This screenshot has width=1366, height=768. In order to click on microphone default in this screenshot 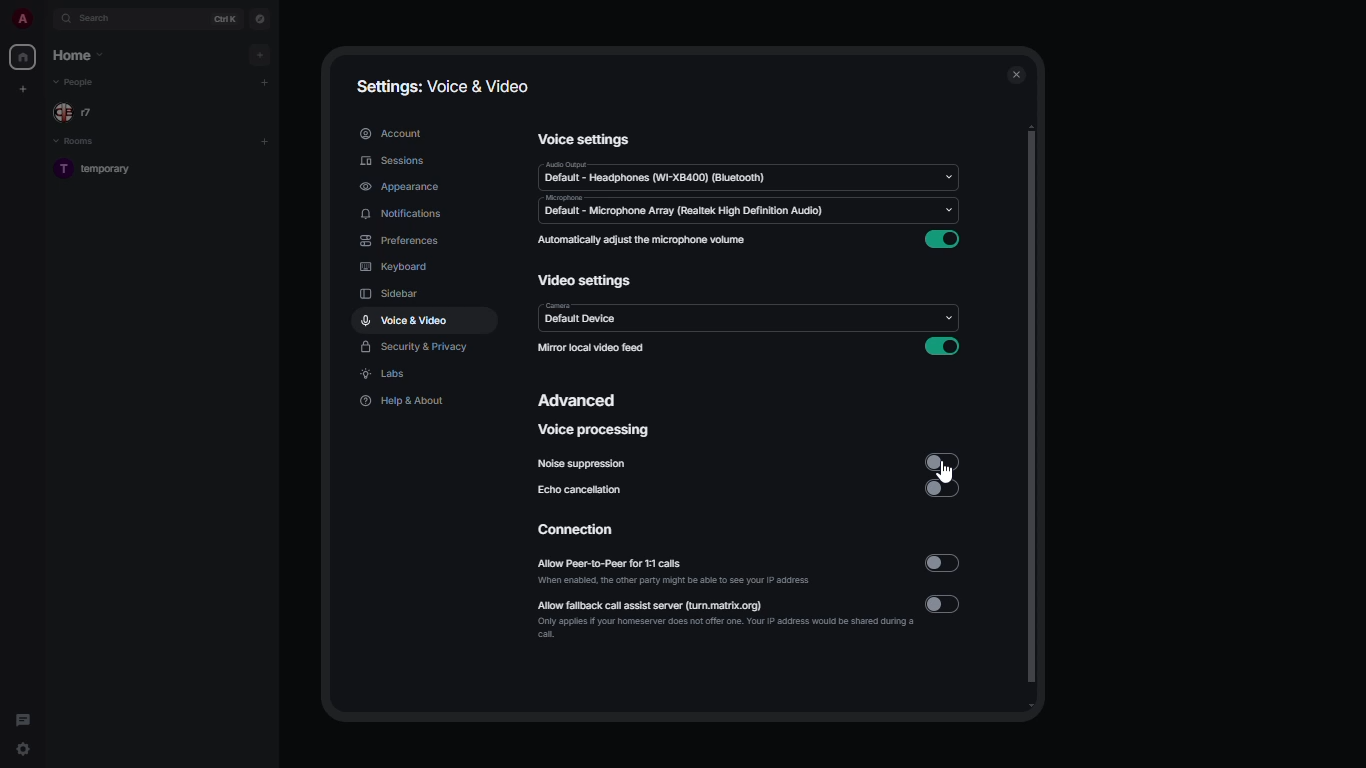, I will do `click(682, 207)`.